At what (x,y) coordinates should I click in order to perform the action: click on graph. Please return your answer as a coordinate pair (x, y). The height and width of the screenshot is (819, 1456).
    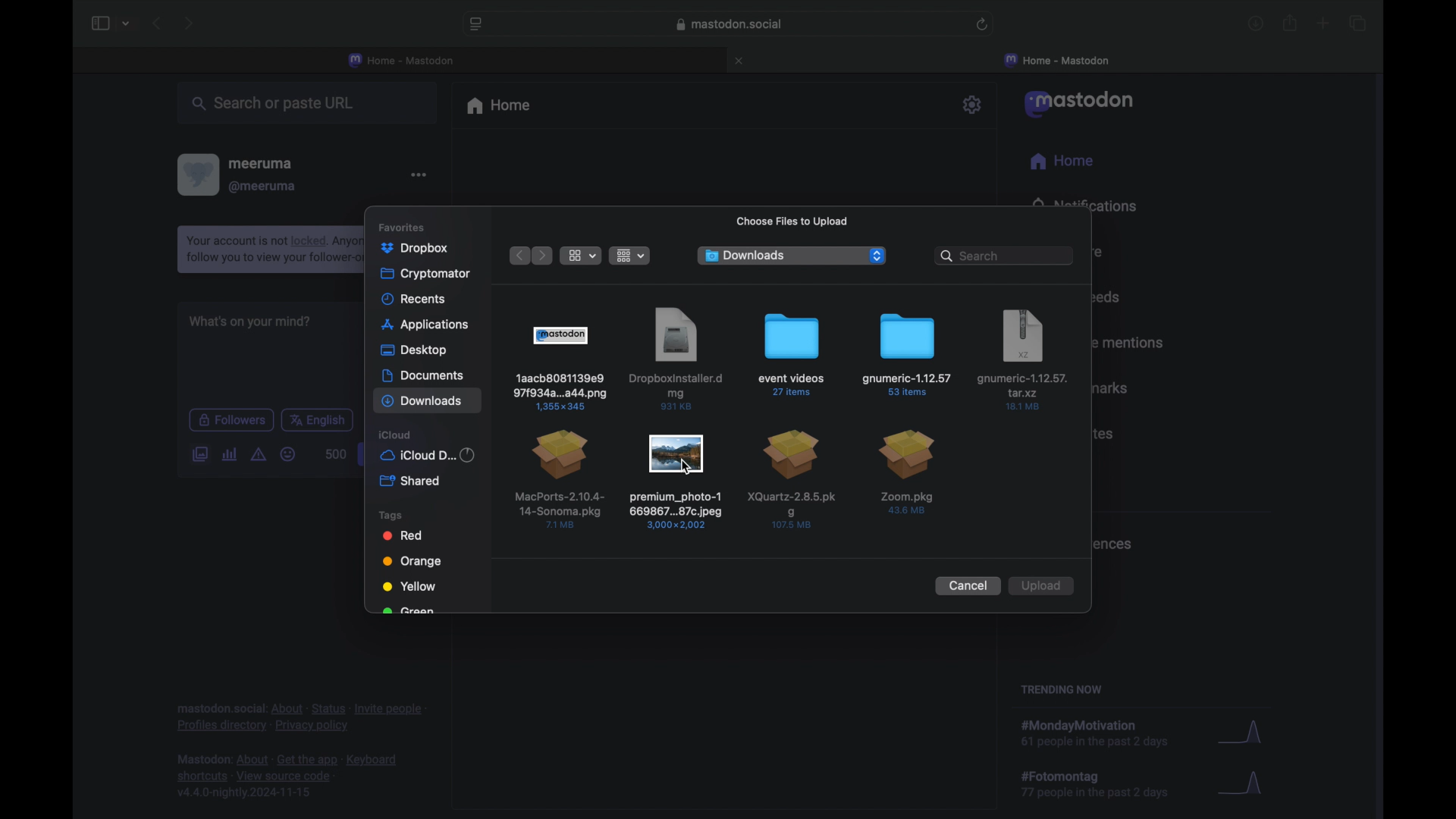
    Looking at the image, I should click on (1240, 728).